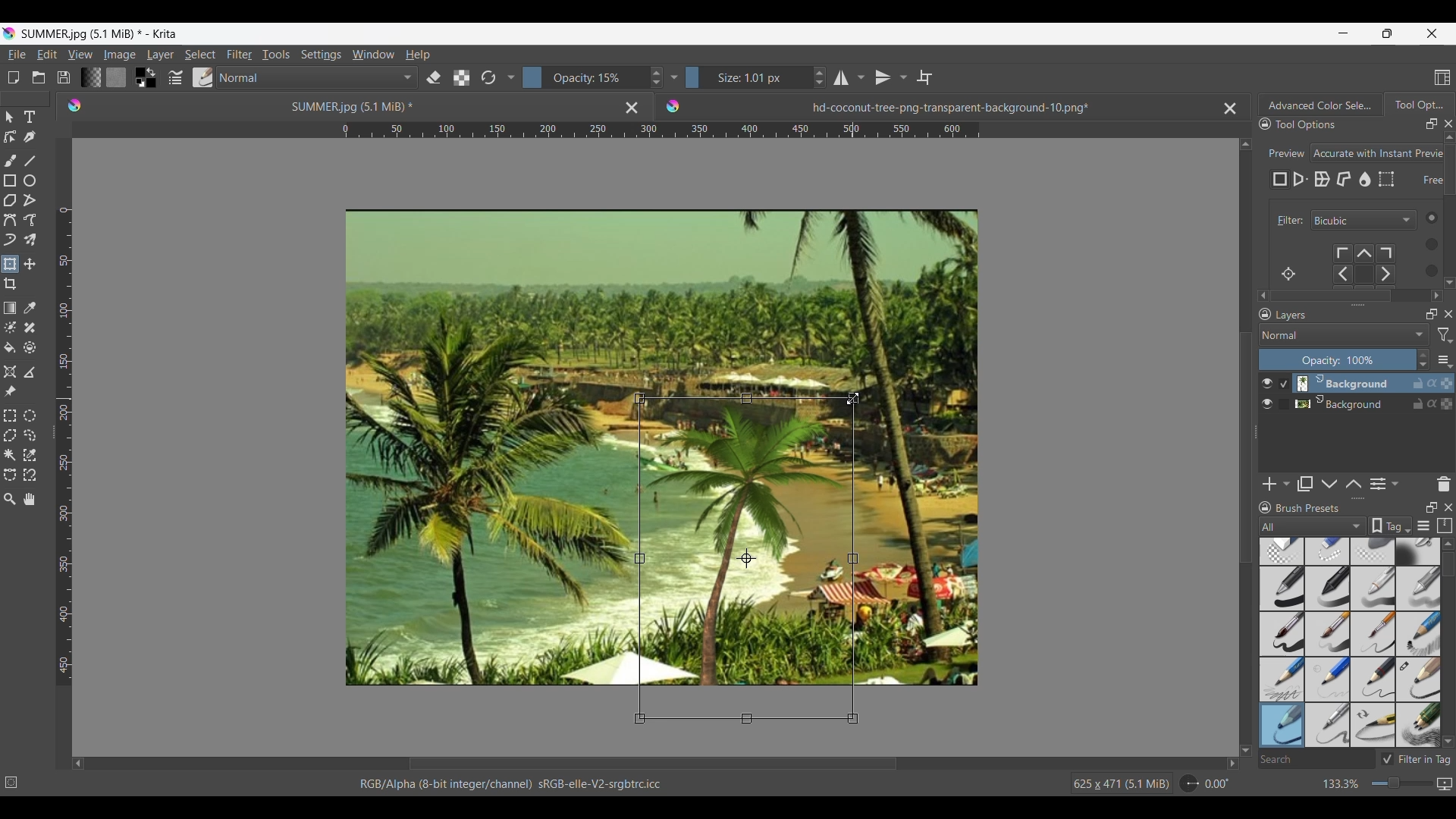 Image resolution: width=1456 pixels, height=819 pixels. Describe the element at coordinates (1230, 108) in the screenshot. I see `Close tab 2` at that location.